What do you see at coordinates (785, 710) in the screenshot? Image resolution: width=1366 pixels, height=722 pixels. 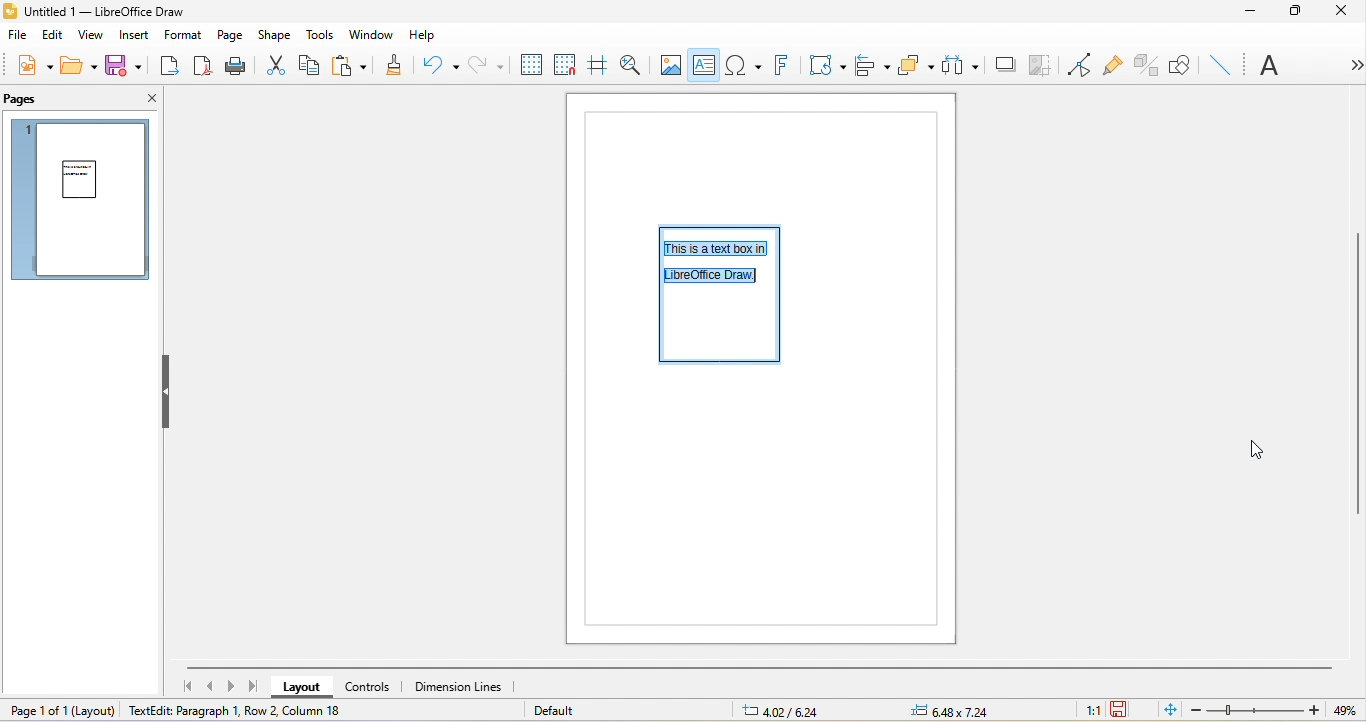 I see `6.18/7.42` at bounding box center [785, 710].